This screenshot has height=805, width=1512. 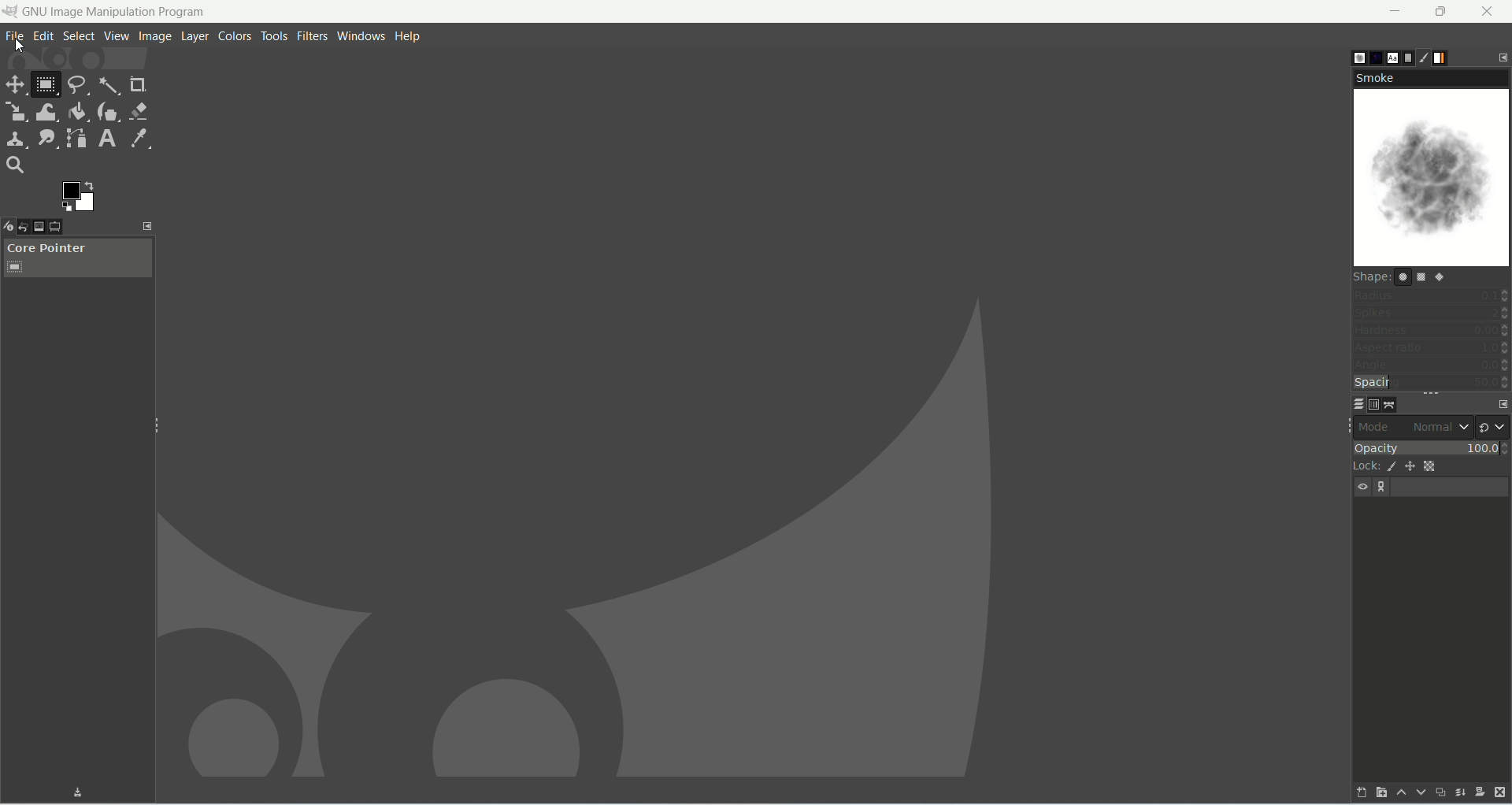 I want to click on document history, so click(x=1407, y=58).